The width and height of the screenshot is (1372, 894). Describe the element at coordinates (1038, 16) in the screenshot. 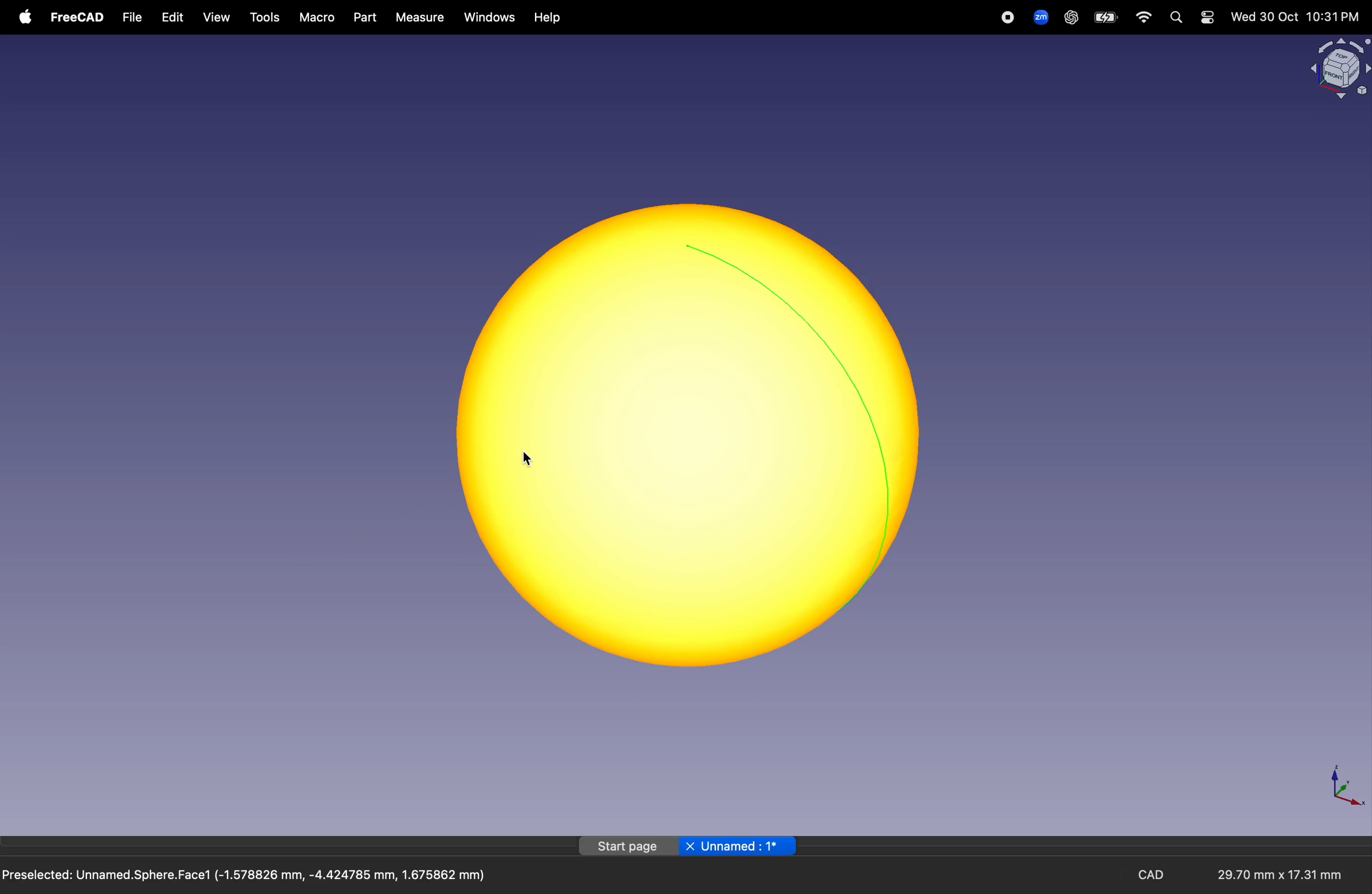

I see `zoom` at that location.